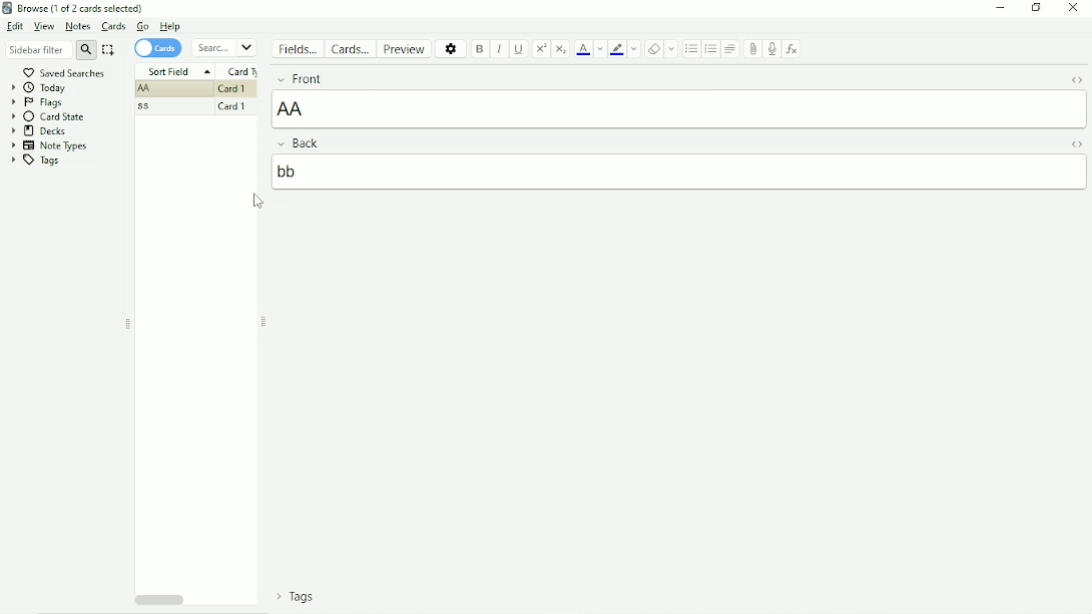  What do you see at coordinates (654, 49) in the screenshot?
I see `Remove formatting` at bounding box center [654, 49].